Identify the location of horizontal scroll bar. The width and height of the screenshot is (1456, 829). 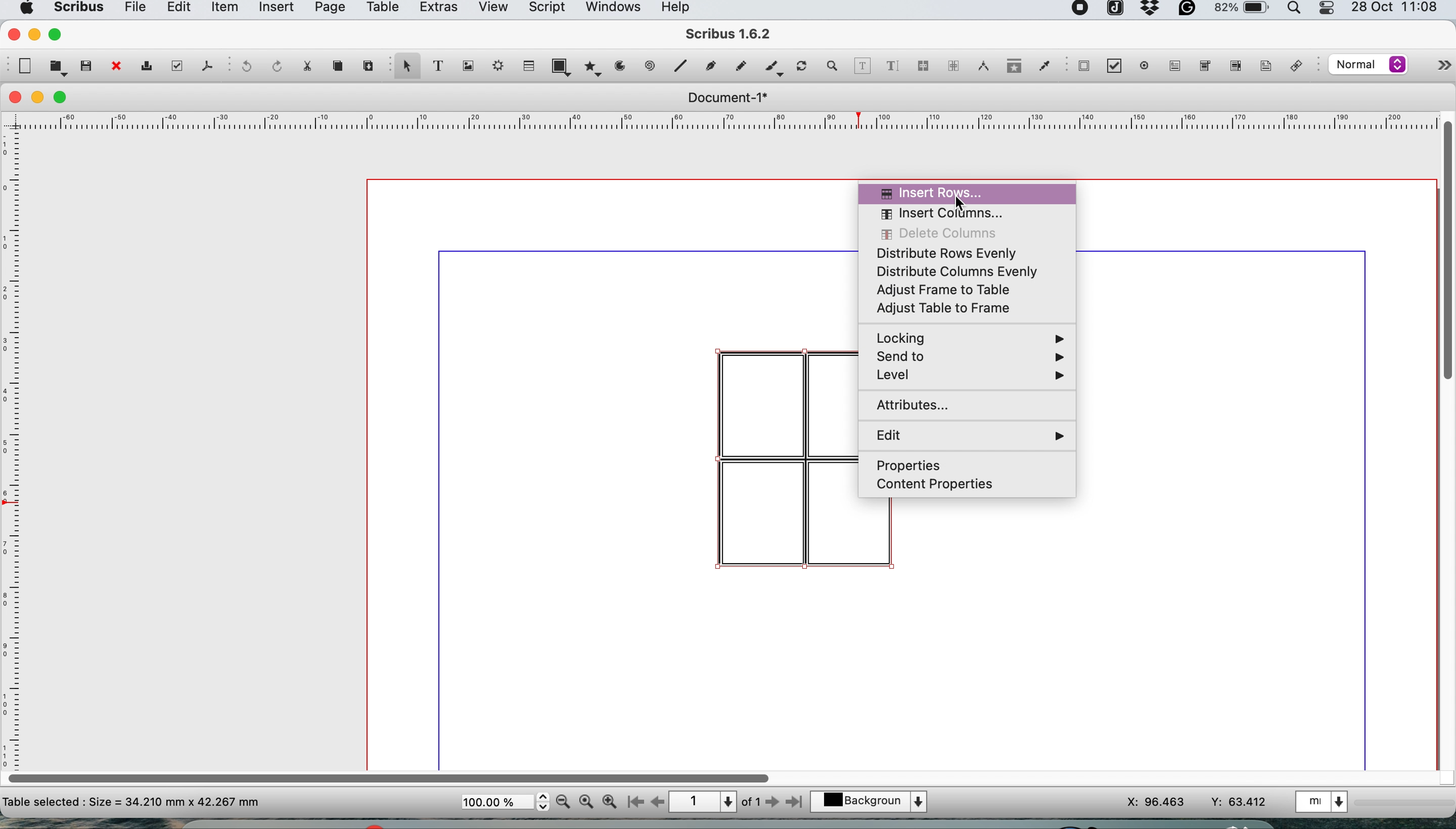
(392, 774).